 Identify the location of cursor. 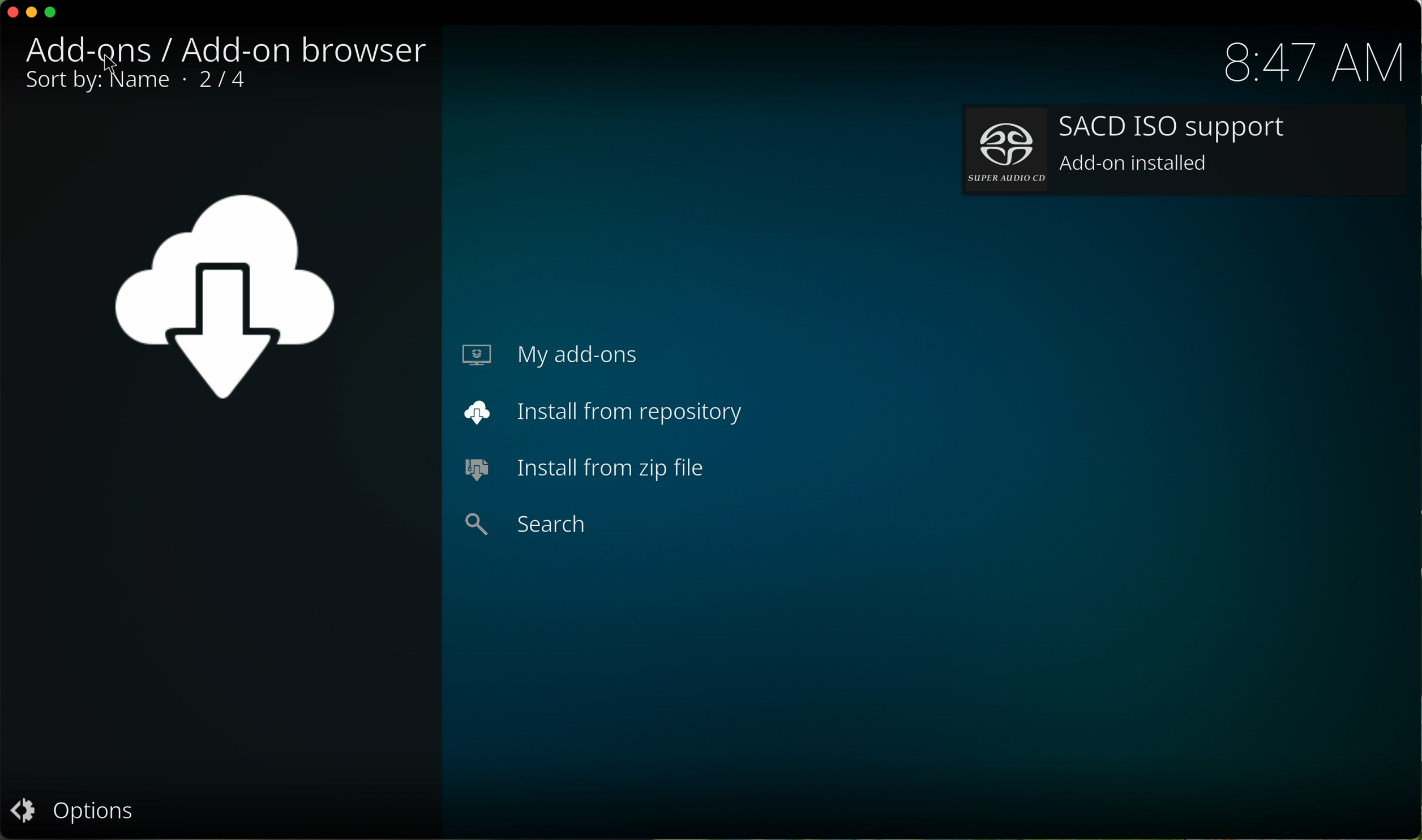
(116, 66).